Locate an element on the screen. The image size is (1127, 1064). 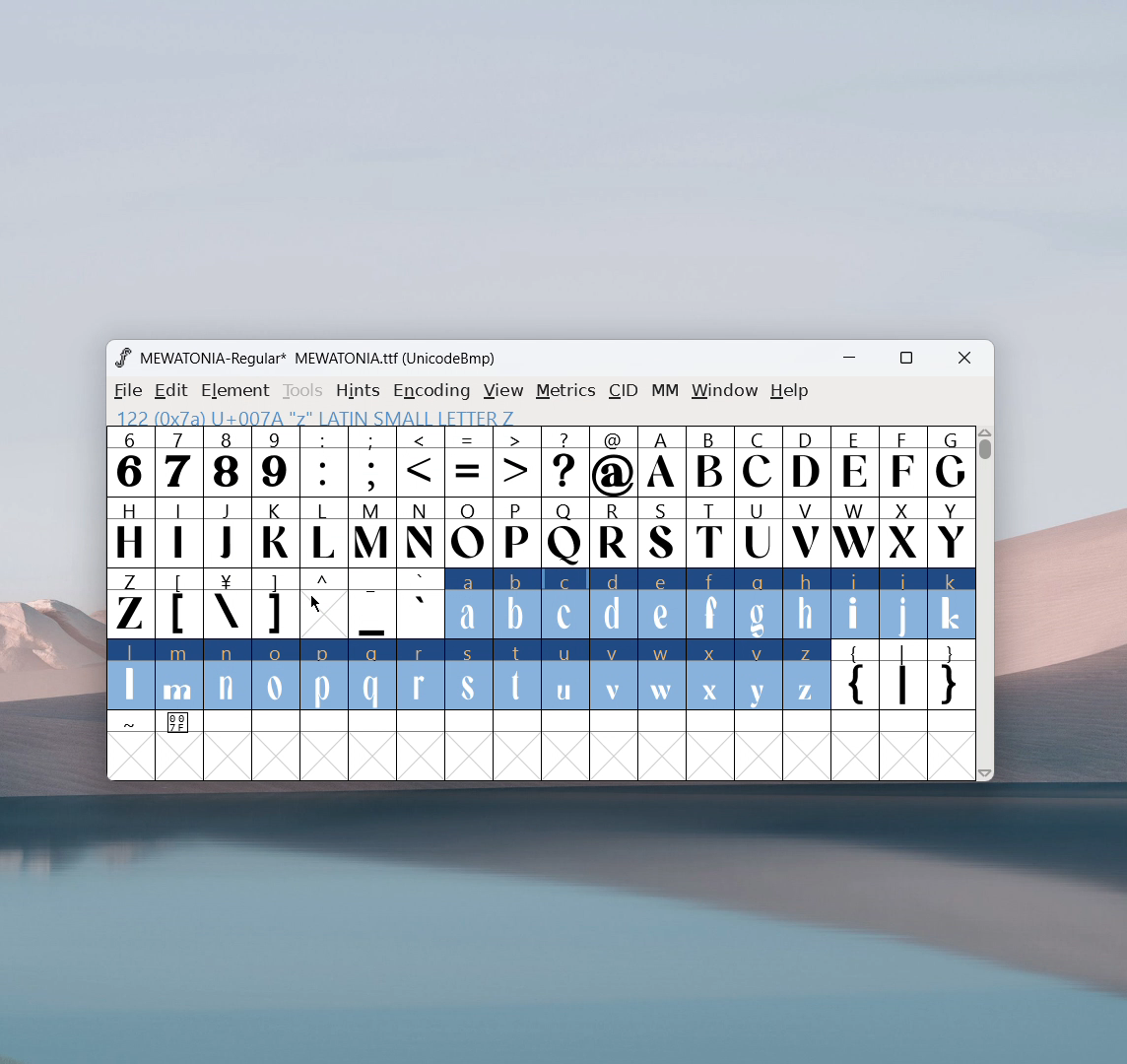
_ is located at coordinates (372, 604).